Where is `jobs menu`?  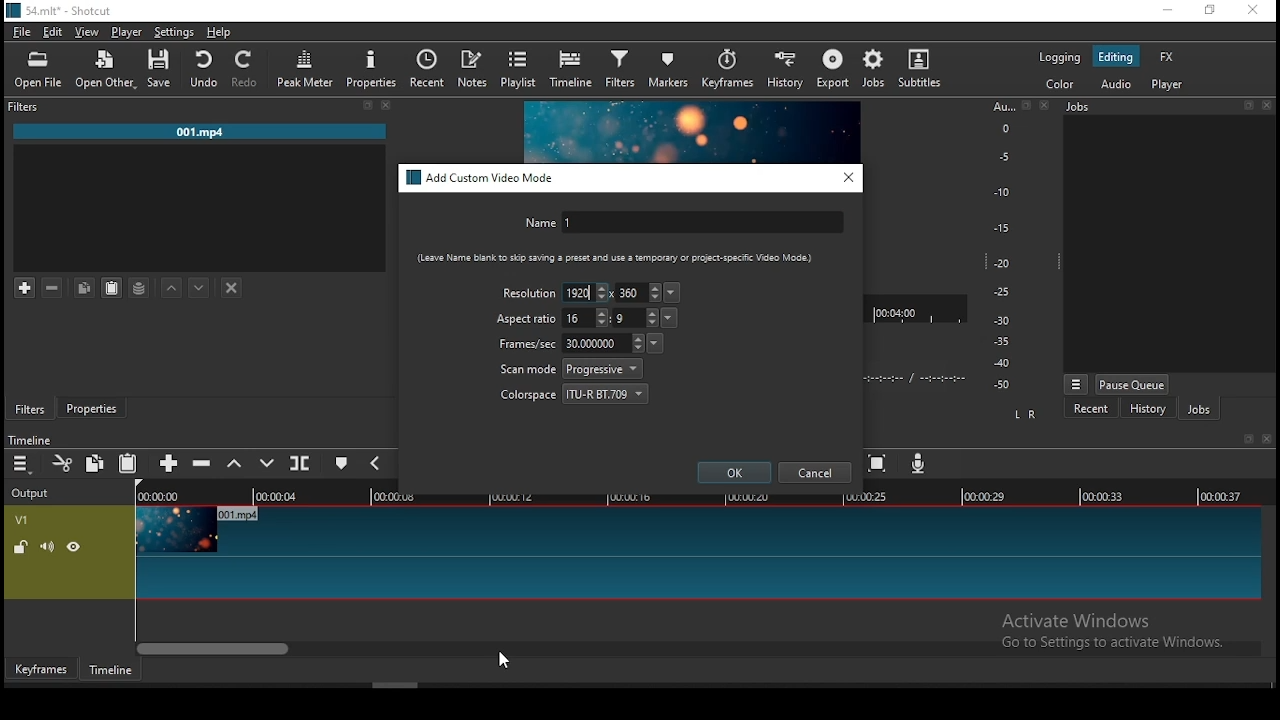
jobs menu is located at coordinates (1077, 386).